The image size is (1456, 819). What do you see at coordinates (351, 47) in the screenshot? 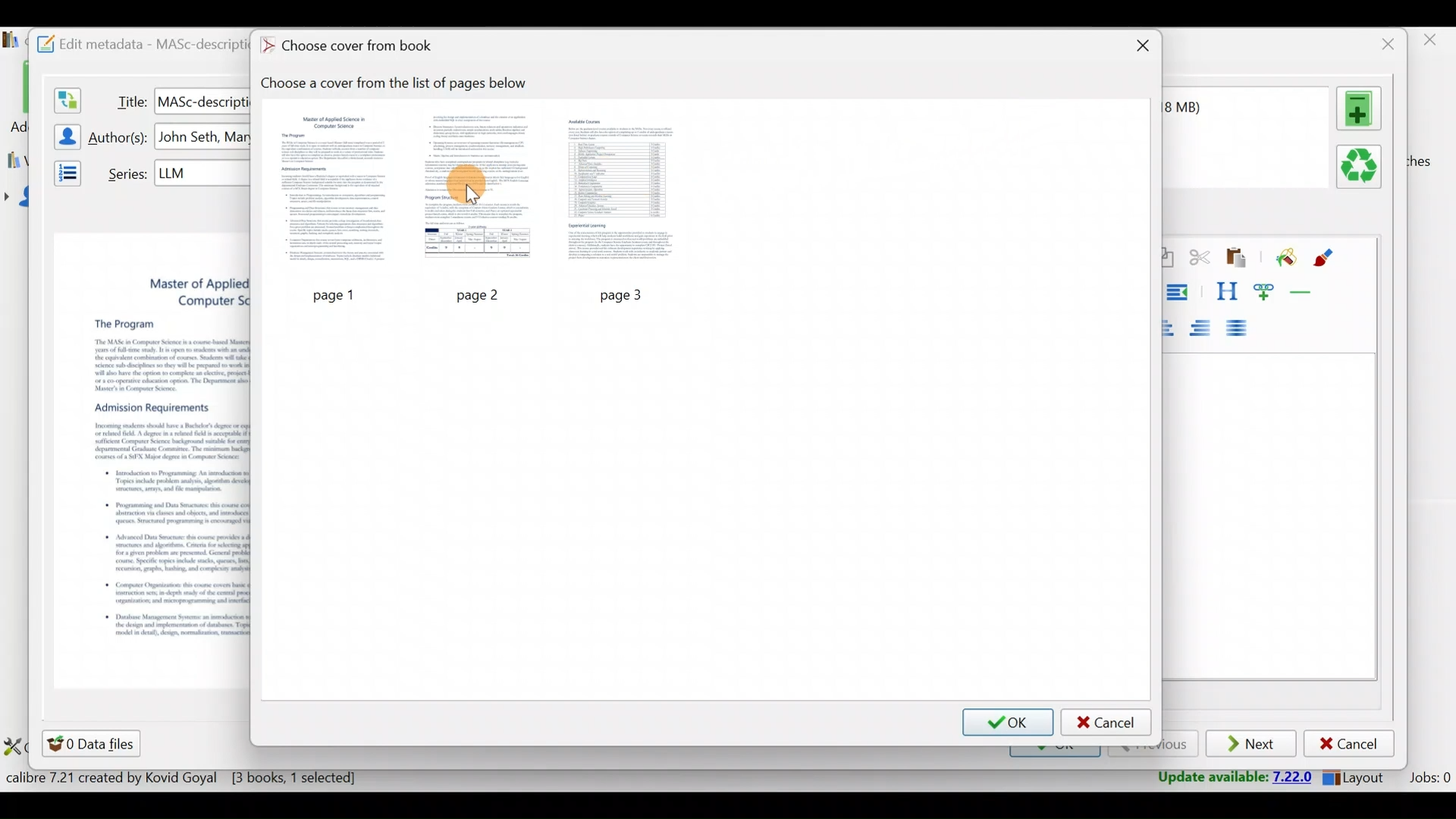
I see `Choose cover from book` at bounding box center [351, 47].